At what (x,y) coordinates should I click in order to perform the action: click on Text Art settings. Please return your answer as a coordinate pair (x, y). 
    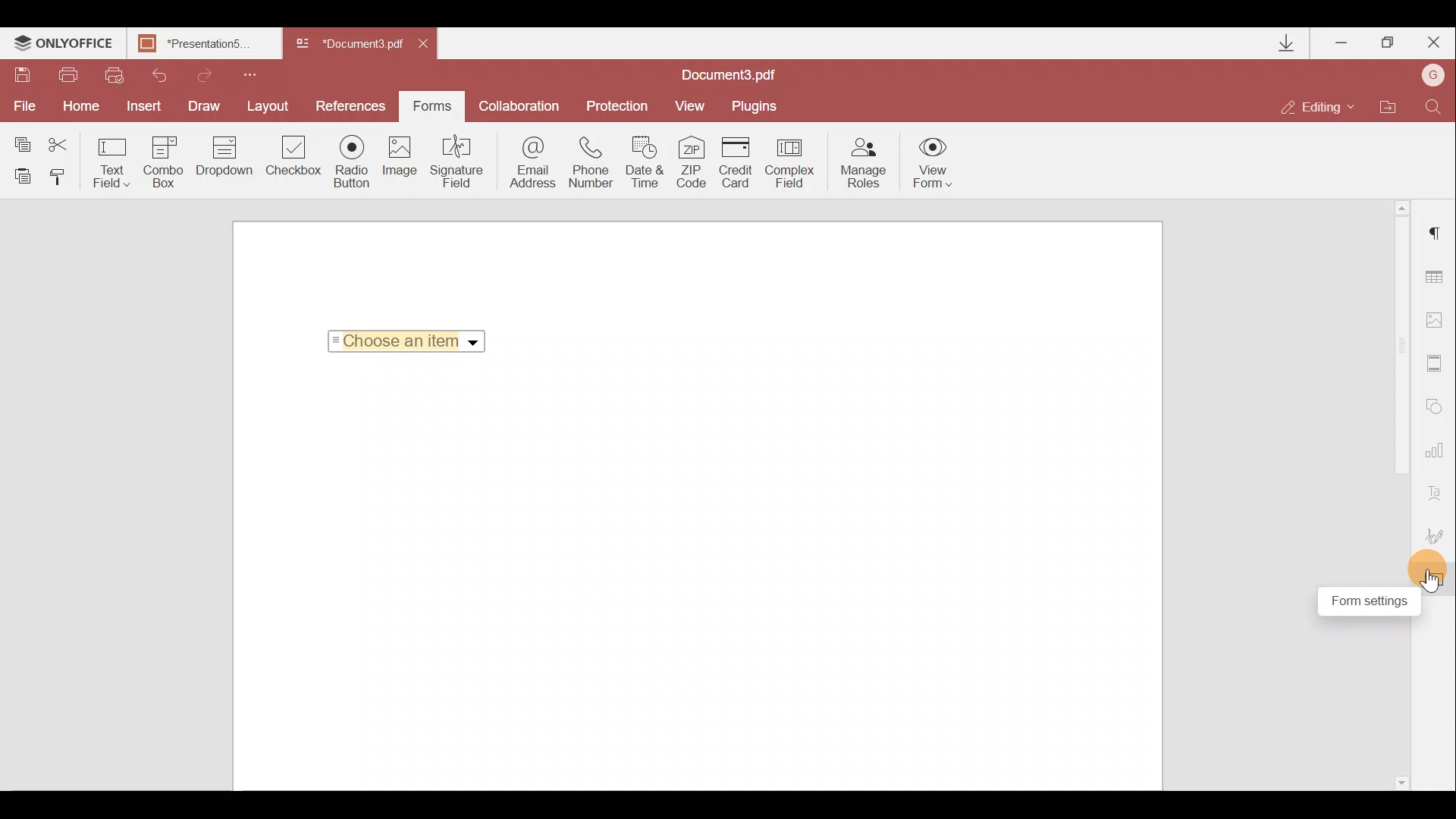
    Looking at the image, I should click on (1439, 497).